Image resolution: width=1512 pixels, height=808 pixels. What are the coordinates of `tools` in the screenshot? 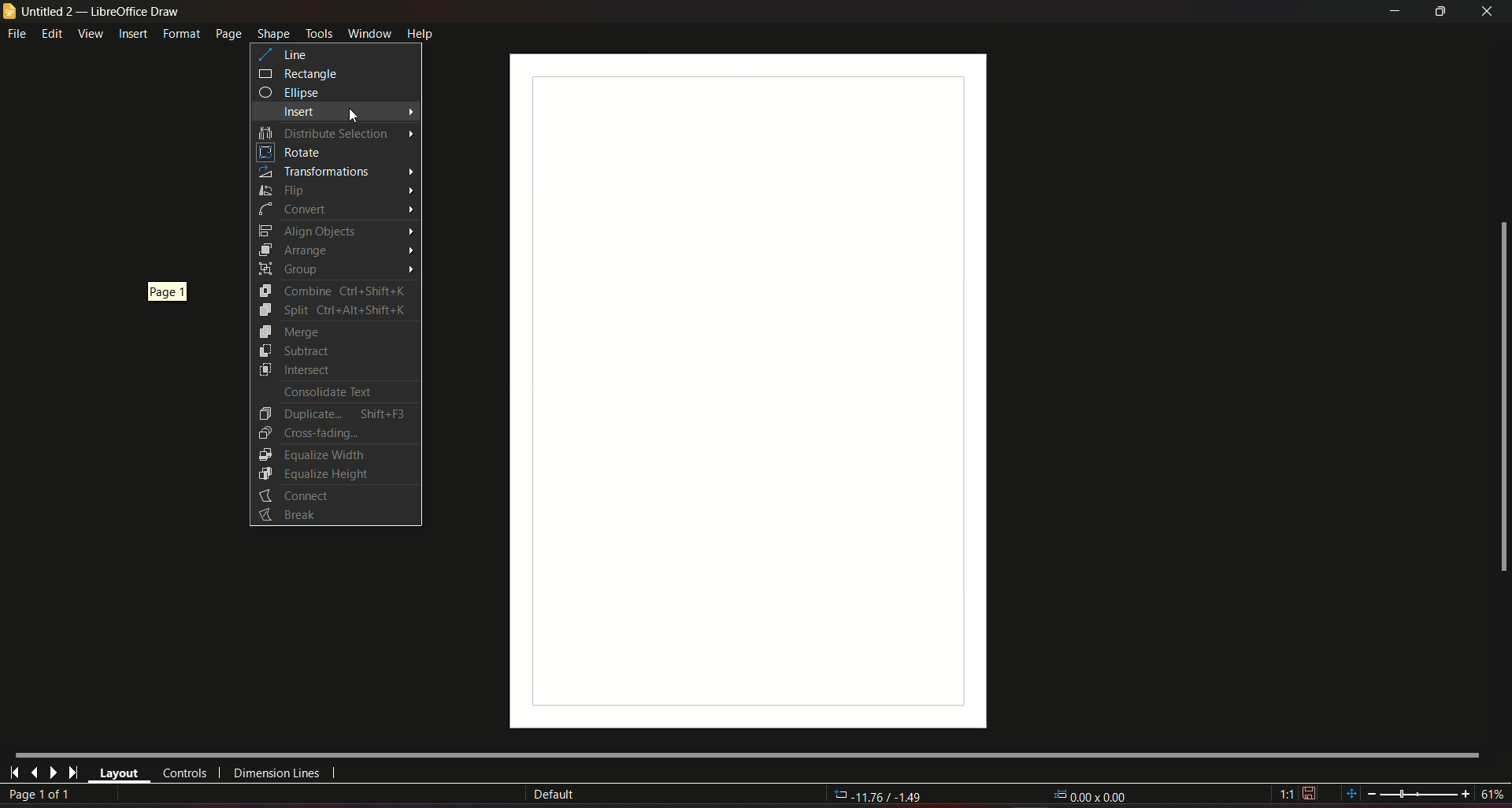 It's located at (318, 32).